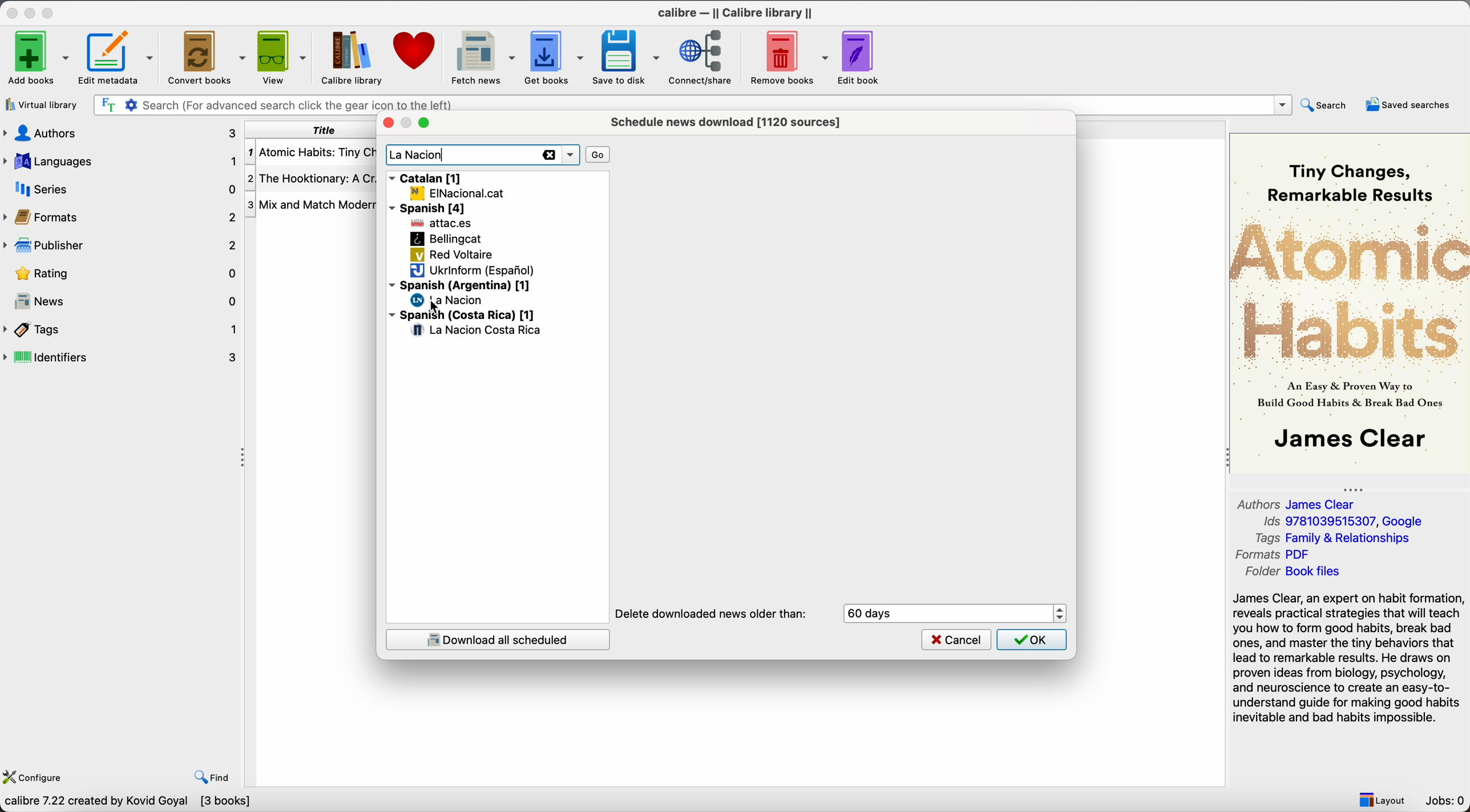  Describe the element at coordinates (387, 123) in the screenshot. I see `close popup` at that location.